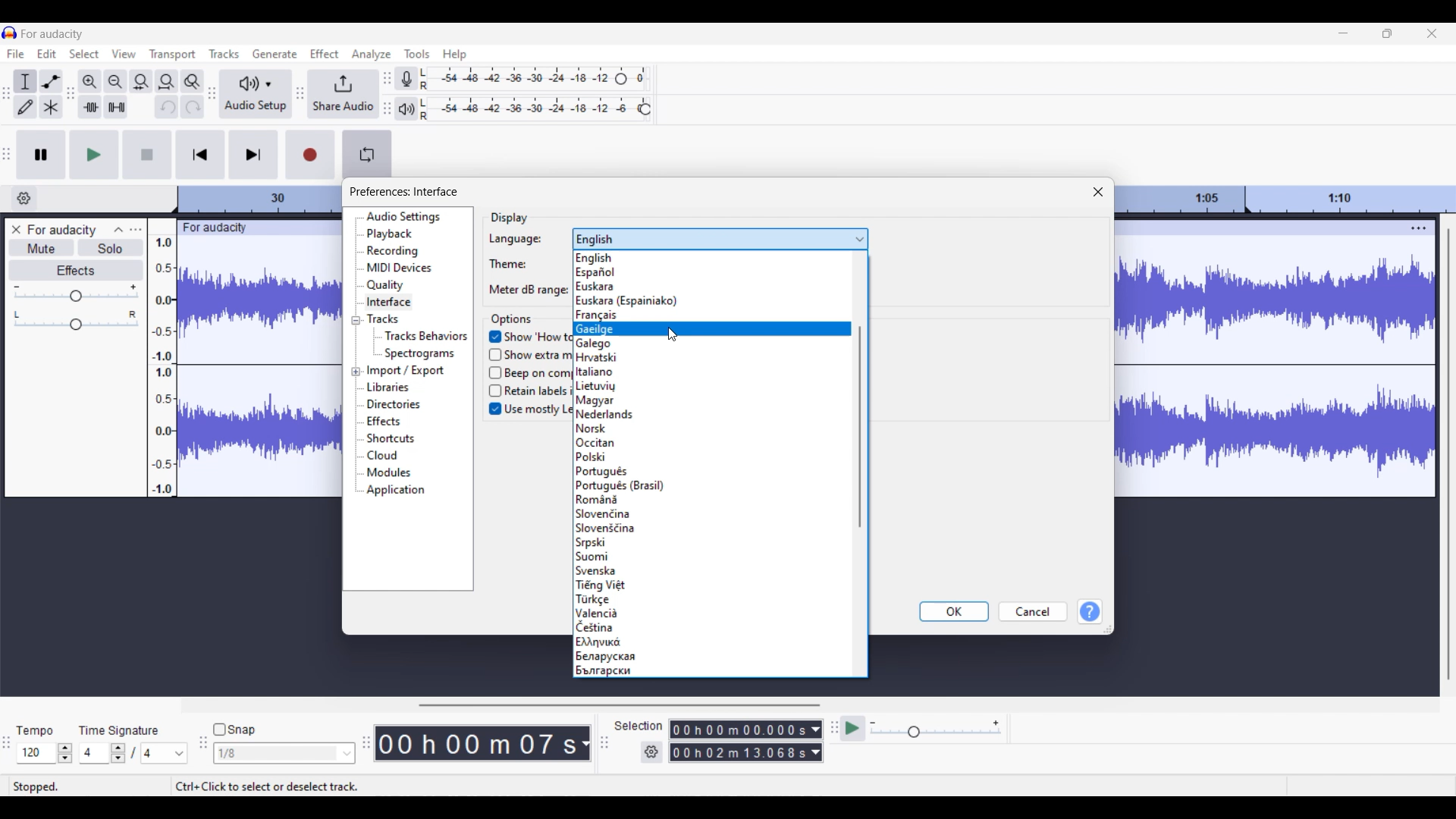  Describe the element at coordinates (604, 470) in the screenshot. I see `Portugués` at that location.